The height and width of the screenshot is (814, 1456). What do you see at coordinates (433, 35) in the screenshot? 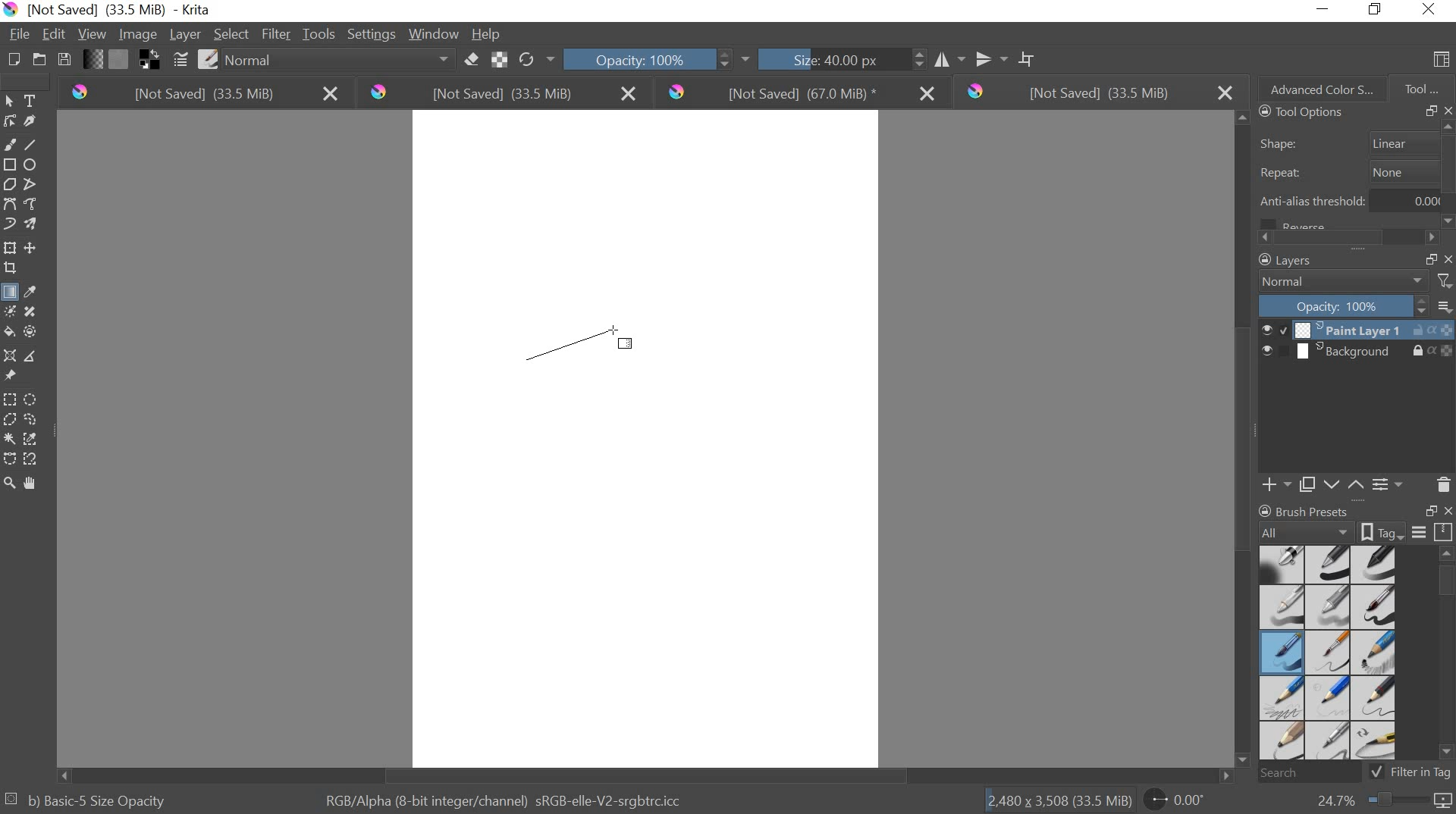
I see `WINDOW` at bounding box center [433, 35].